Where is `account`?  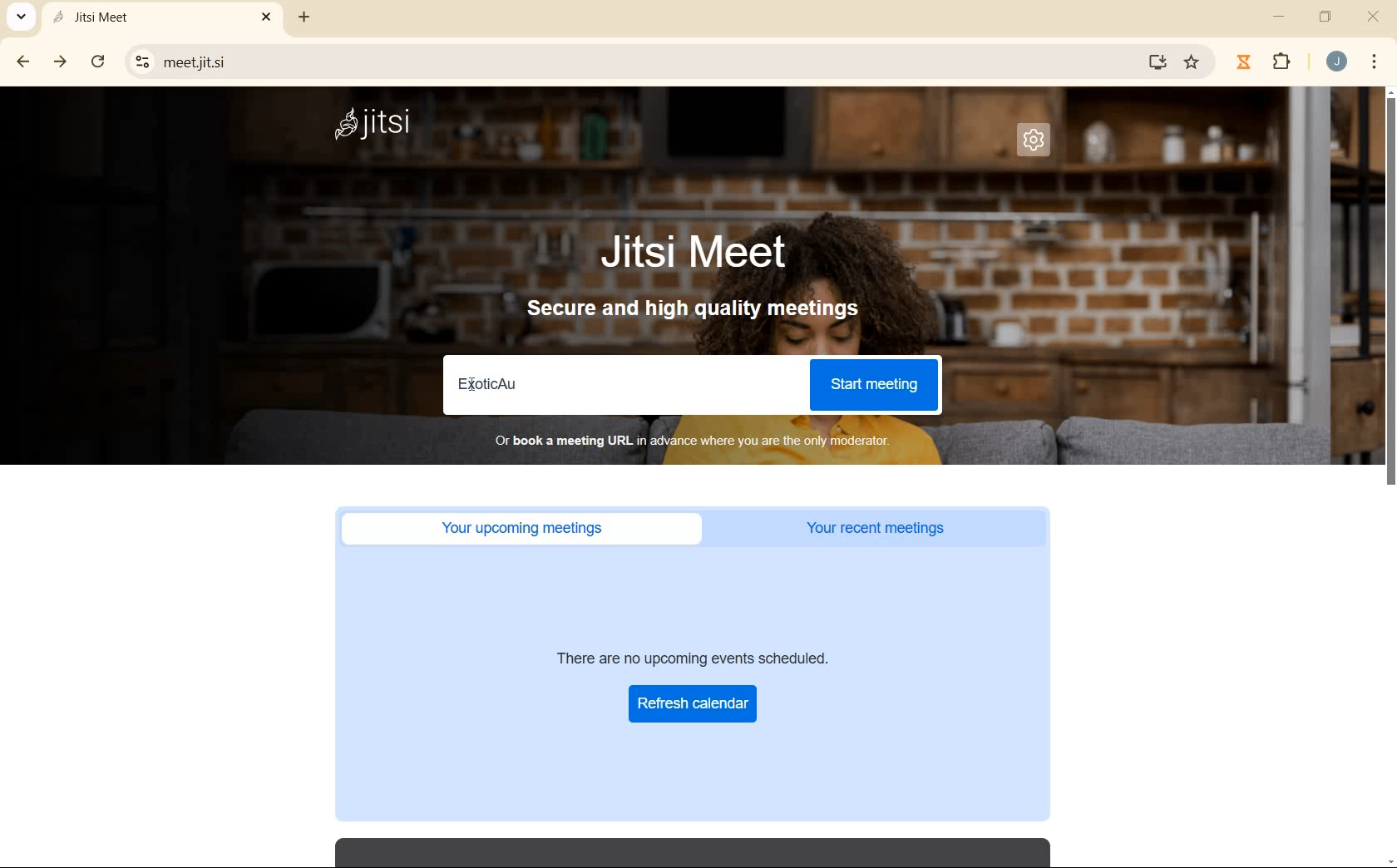
account is located at coordinates (1336, 62).